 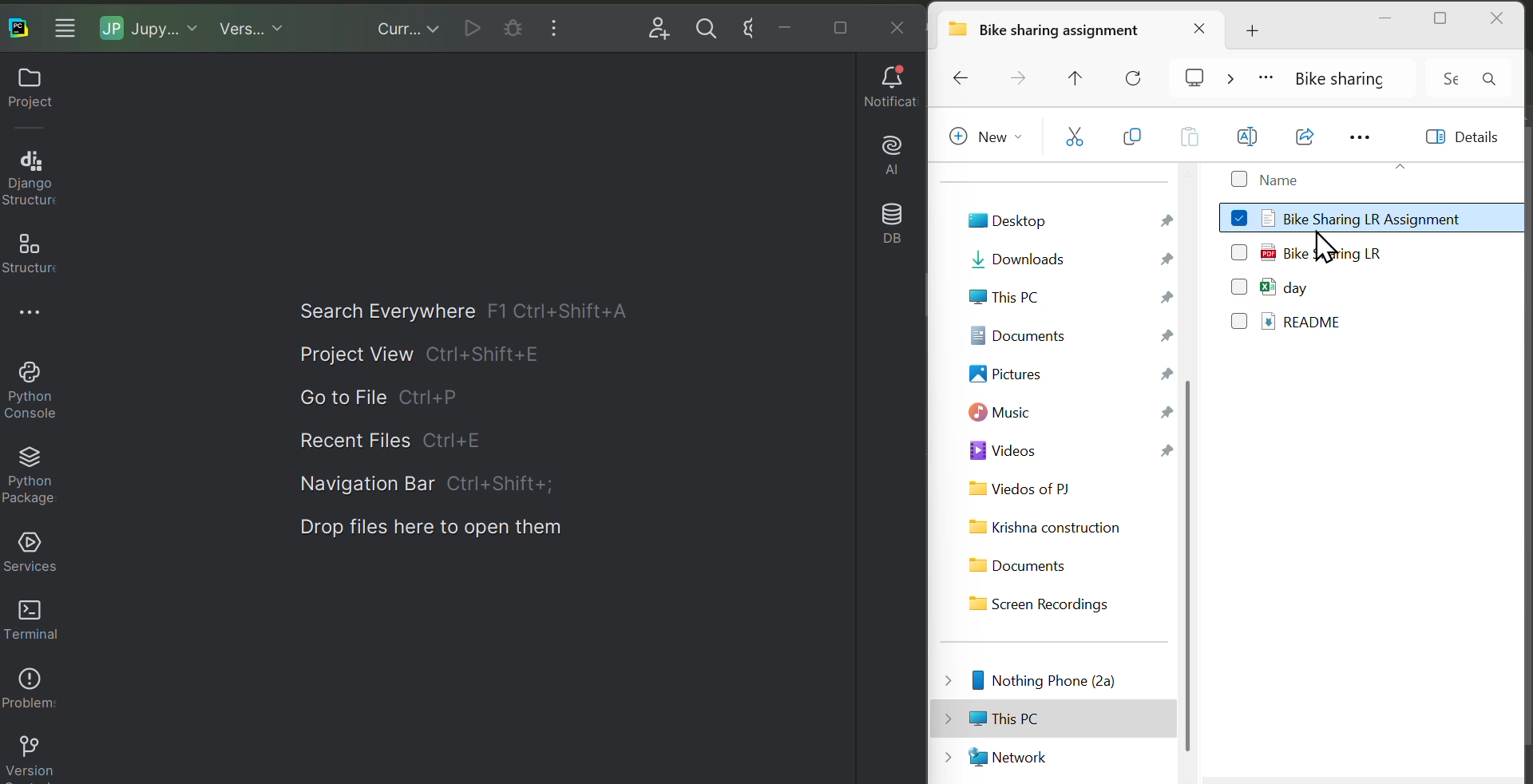 I want to click on This PC, so click(x=1041, y=716).